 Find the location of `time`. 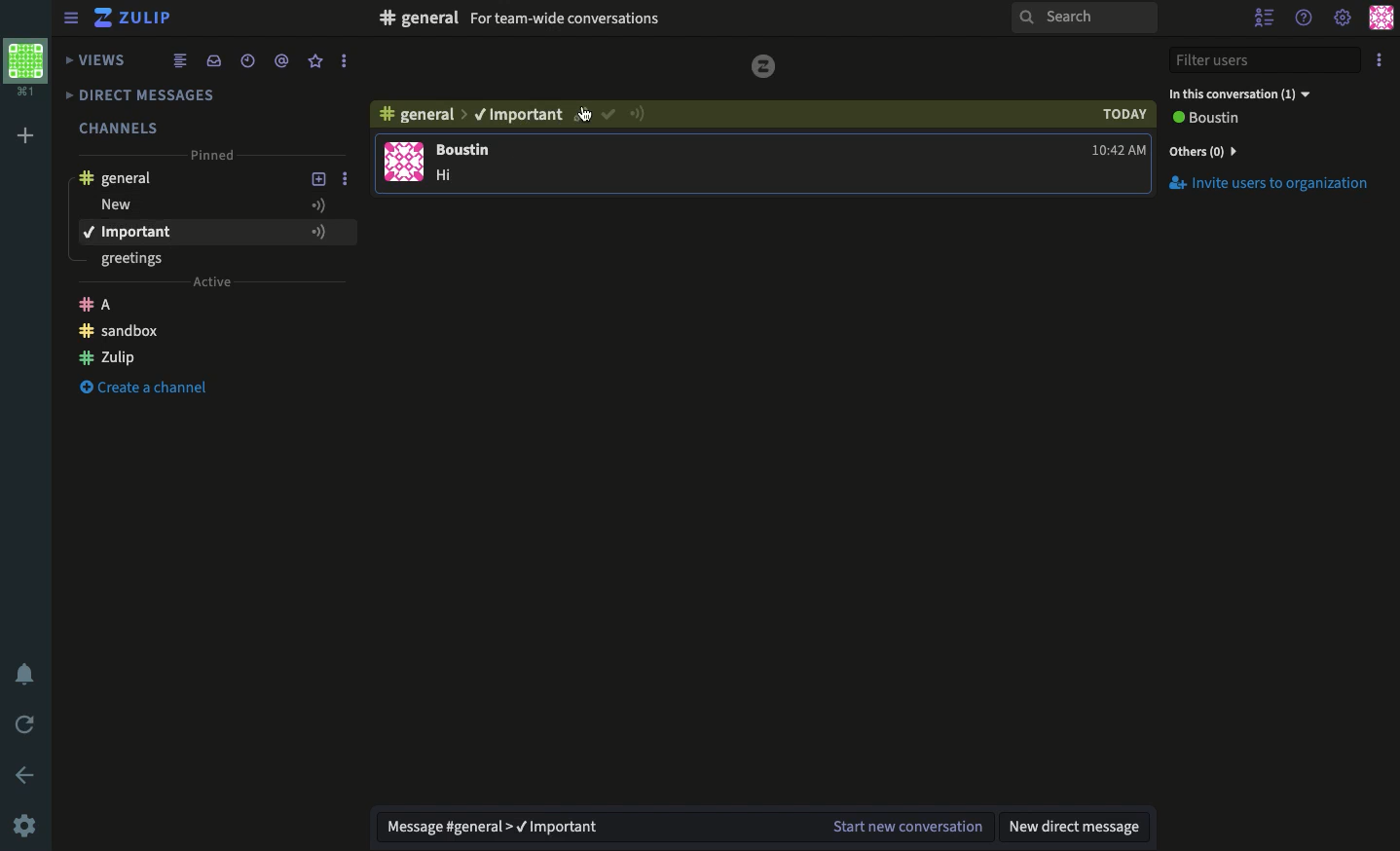

time is located at coordinates (1120, 153).